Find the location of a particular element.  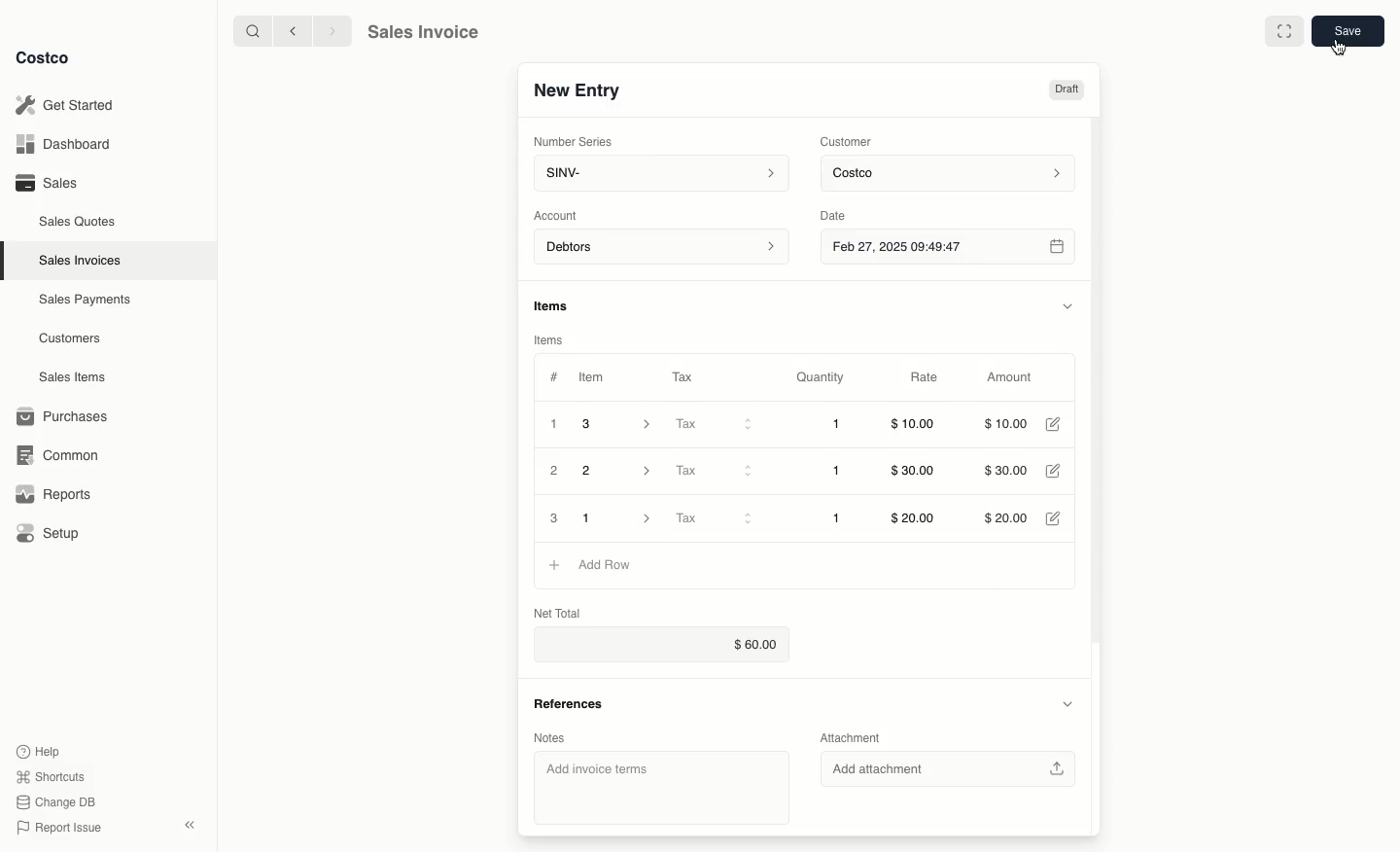

Full width toggle is located at coordinates (1283, 31).